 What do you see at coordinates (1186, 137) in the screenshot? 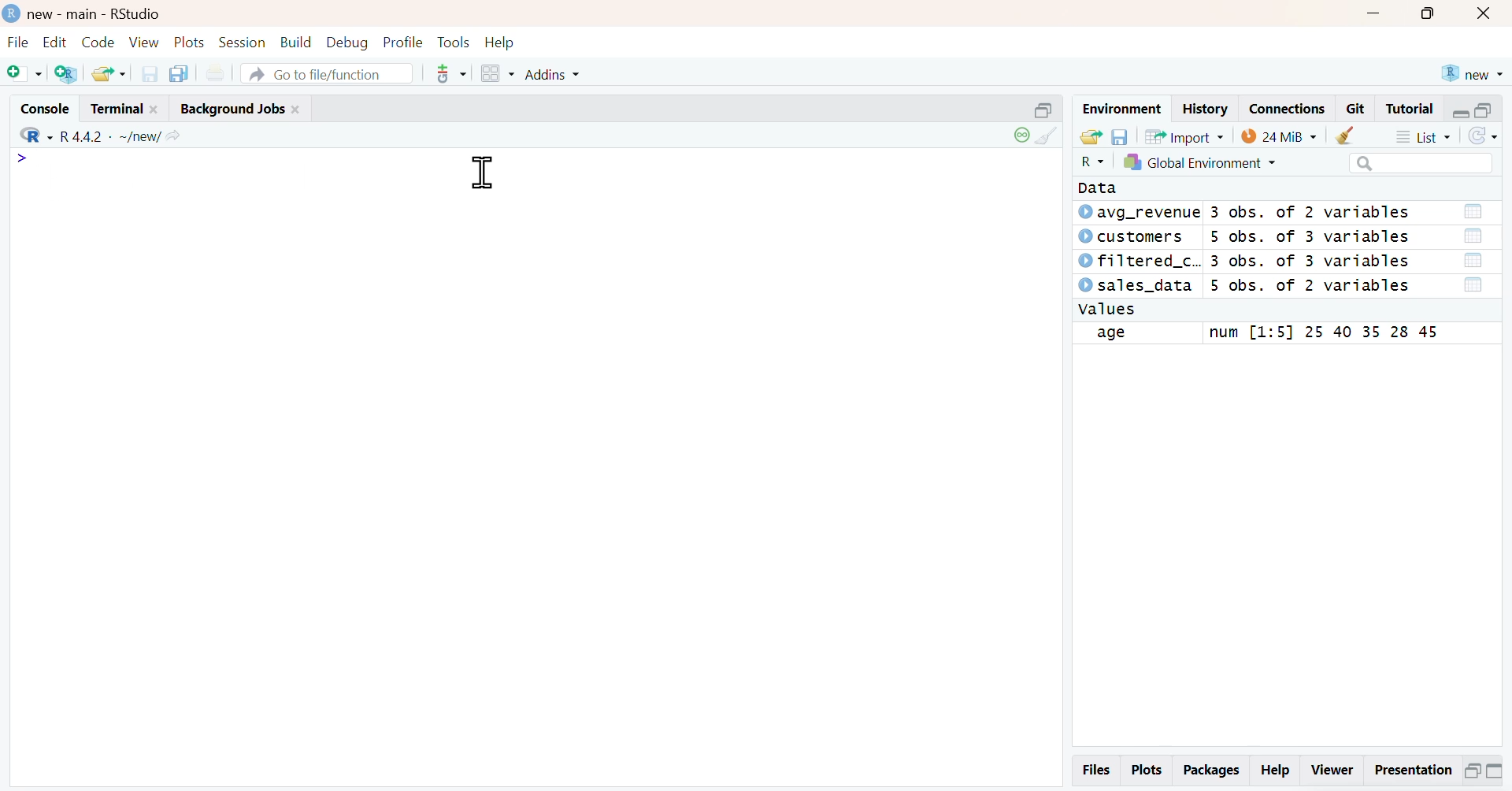
I see `Import Dataset` at bounding box center [1186, 137].